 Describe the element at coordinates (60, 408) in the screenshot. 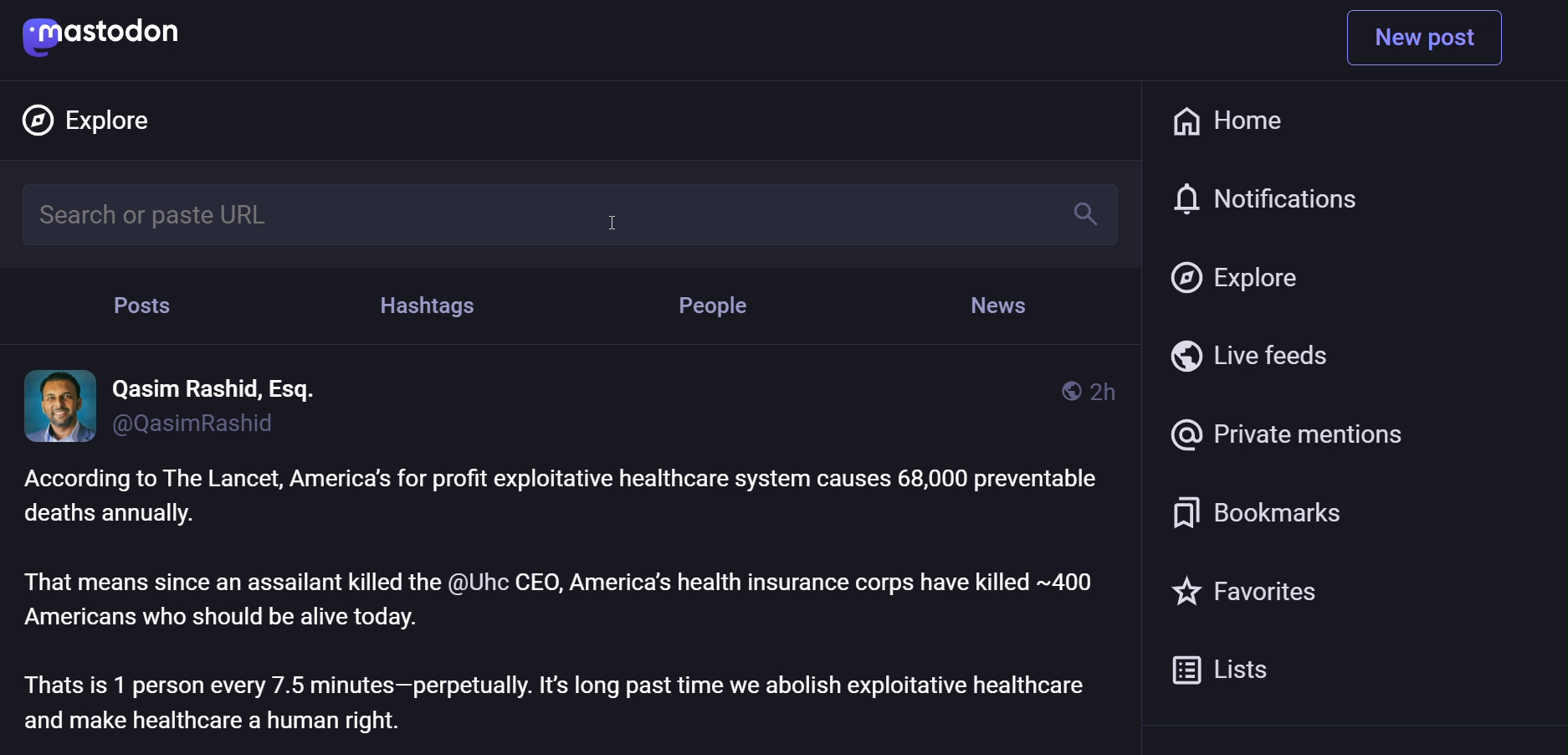

I see `display picture` at that location.